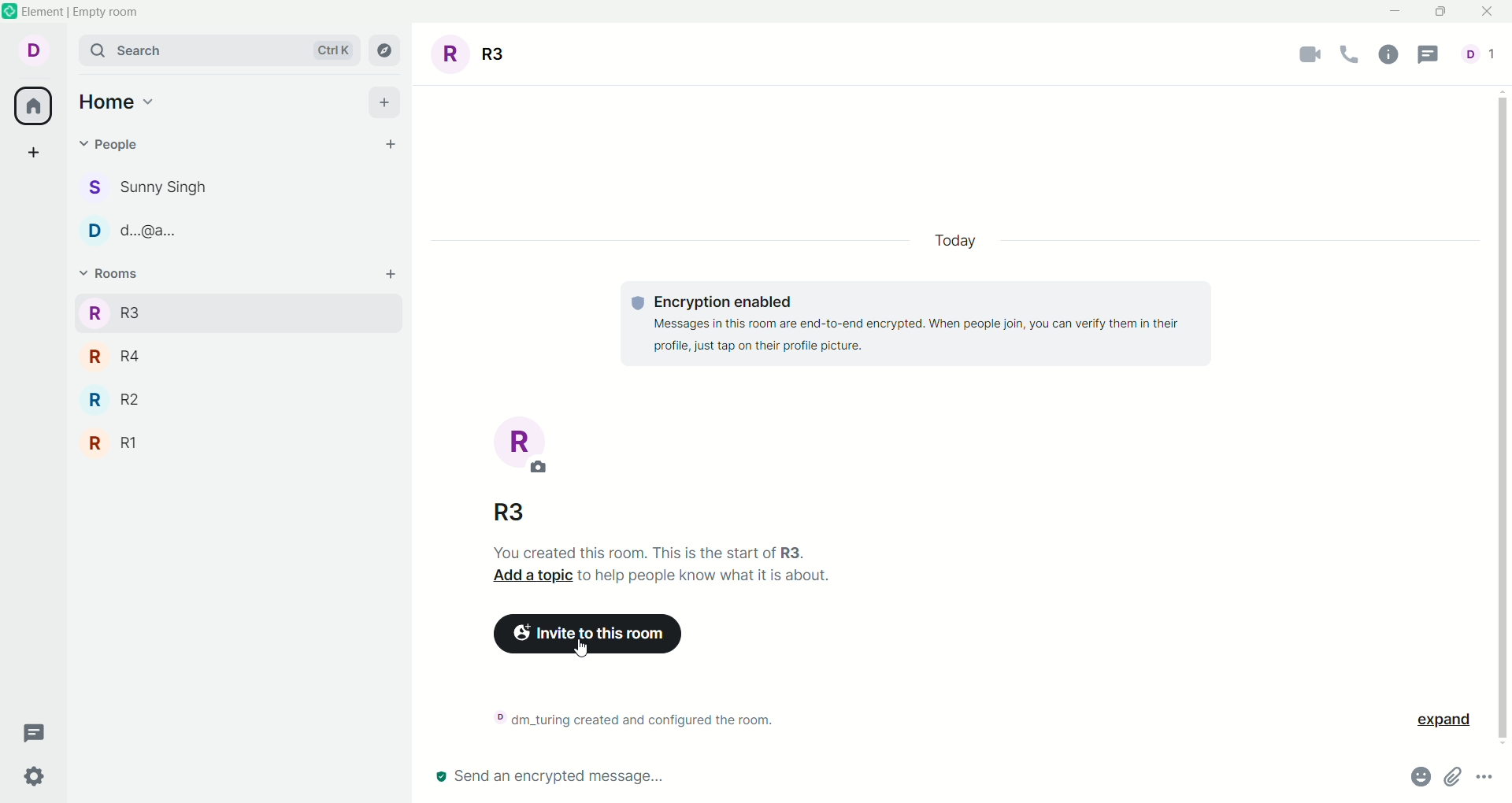 The width and height of the screenshot is (1512, 803). What do you see at coordinates (627, 720) in the screenshot?
I see `© dm_turing created and configured the room.` at bounding box center [627, 720].